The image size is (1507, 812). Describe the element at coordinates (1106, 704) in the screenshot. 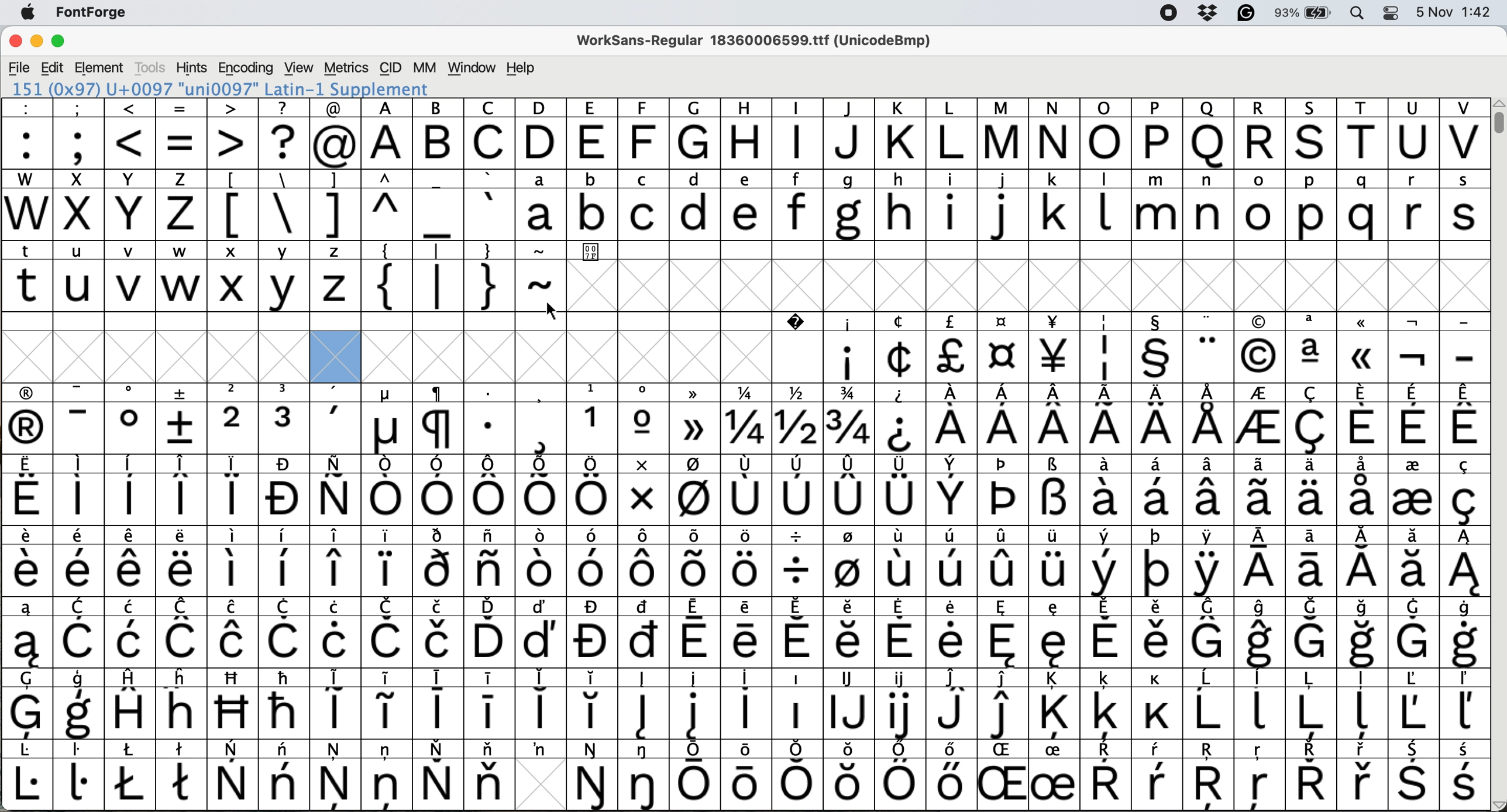

I see `symbol` at that location.